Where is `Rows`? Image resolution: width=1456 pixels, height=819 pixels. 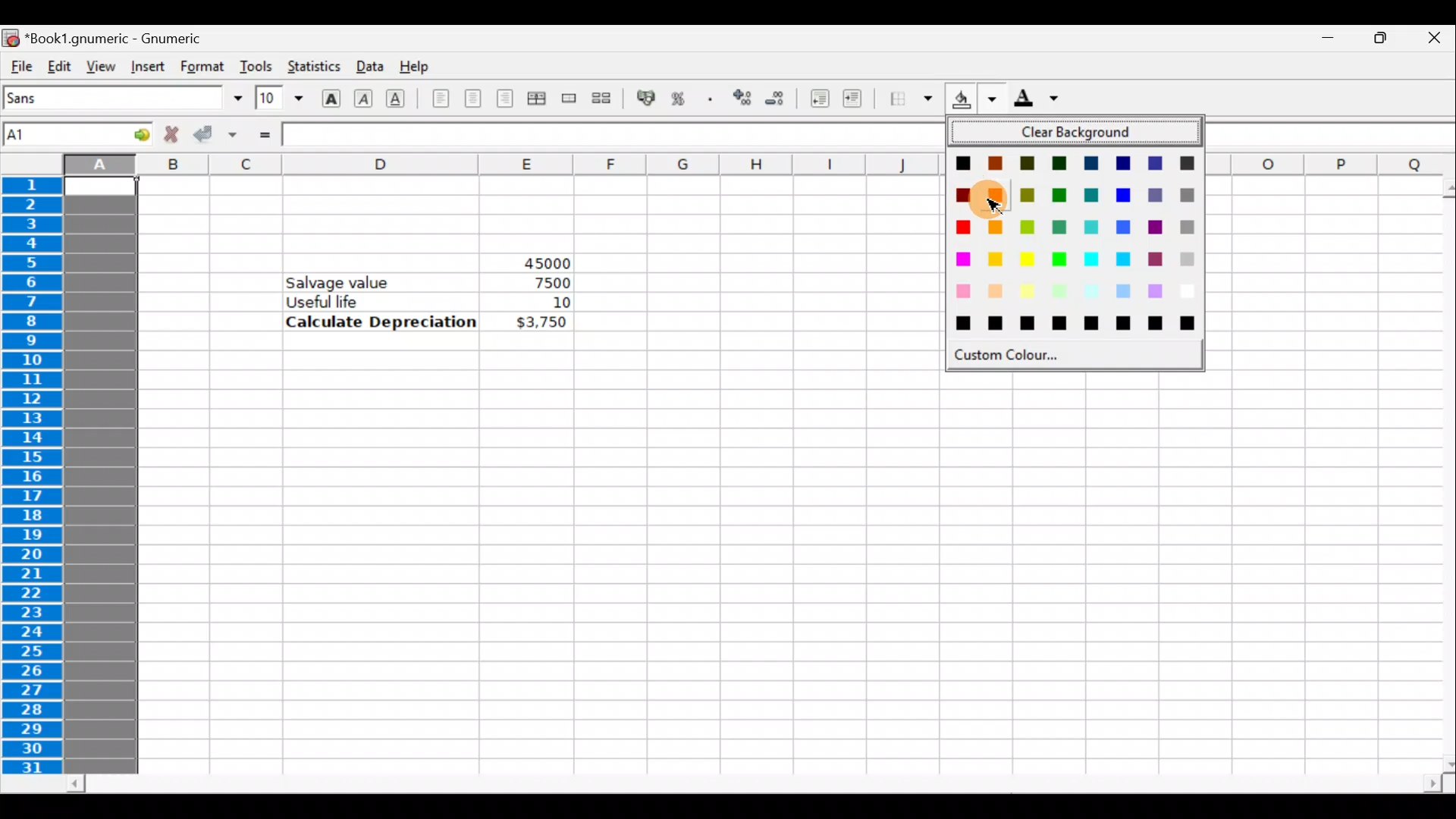
Rows is located at coordinates (36, 477).